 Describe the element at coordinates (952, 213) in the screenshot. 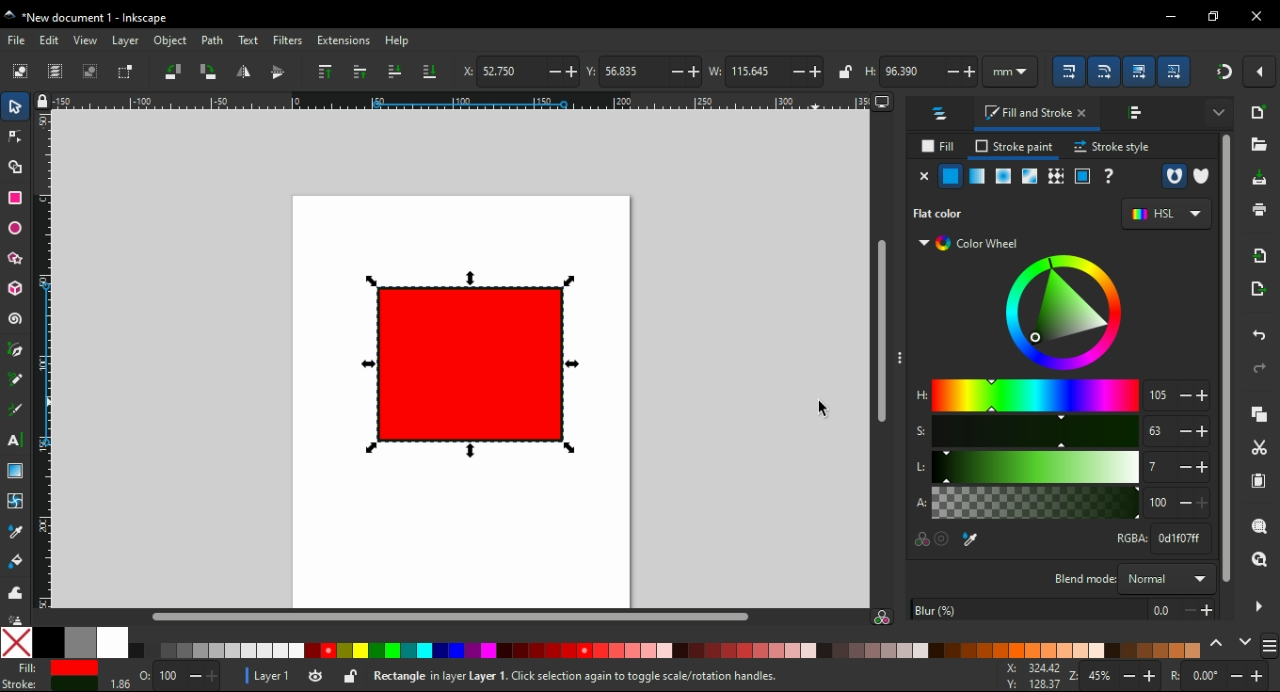

I see `flat color` at that location.